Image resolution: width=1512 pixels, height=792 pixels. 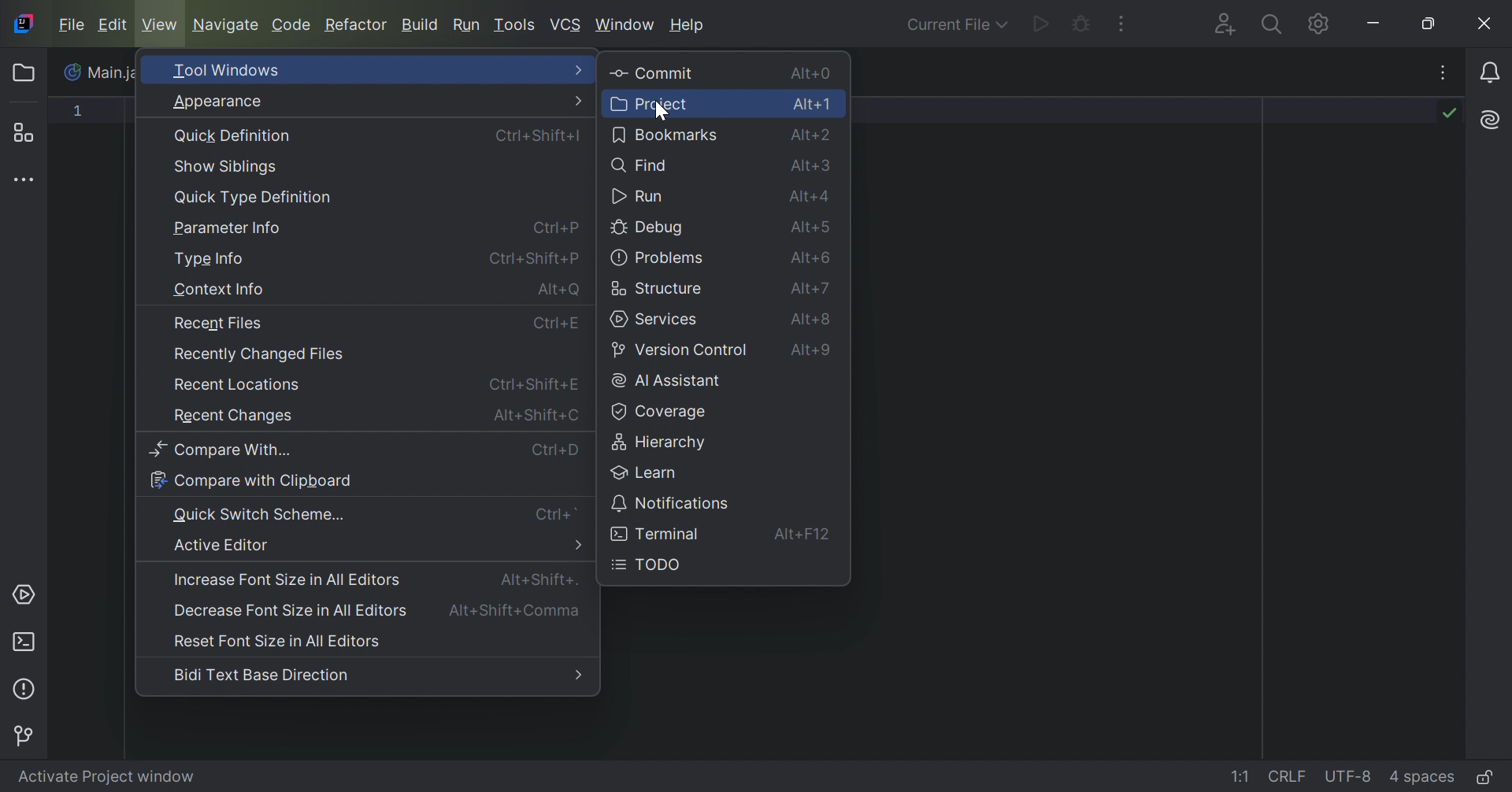 I want to click on Problems, so click(x=658, y=258).